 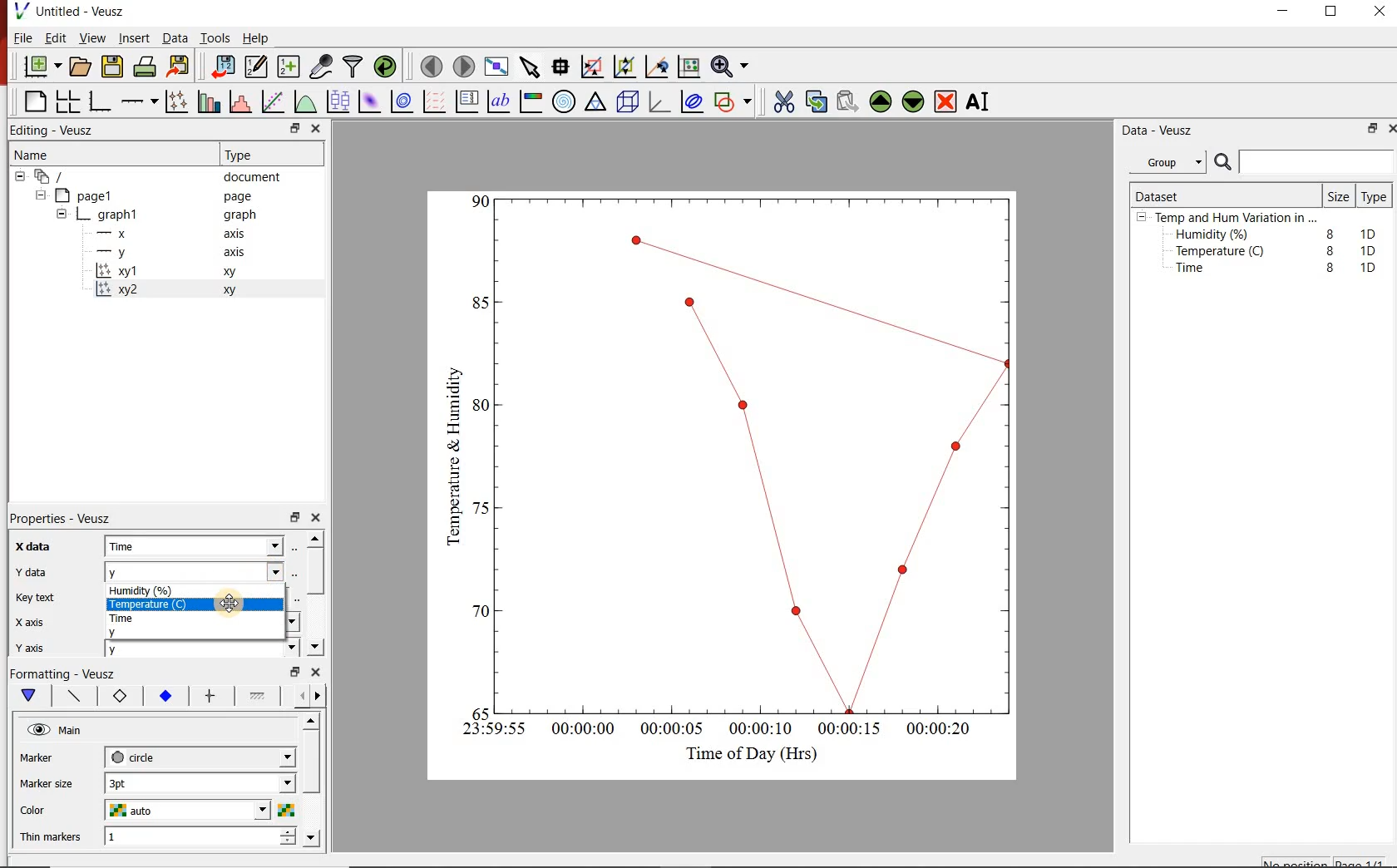 What do you see at coordinates (318, 591) in the screenshot?
I see `scroll bar` at bounding box center [318, 591].